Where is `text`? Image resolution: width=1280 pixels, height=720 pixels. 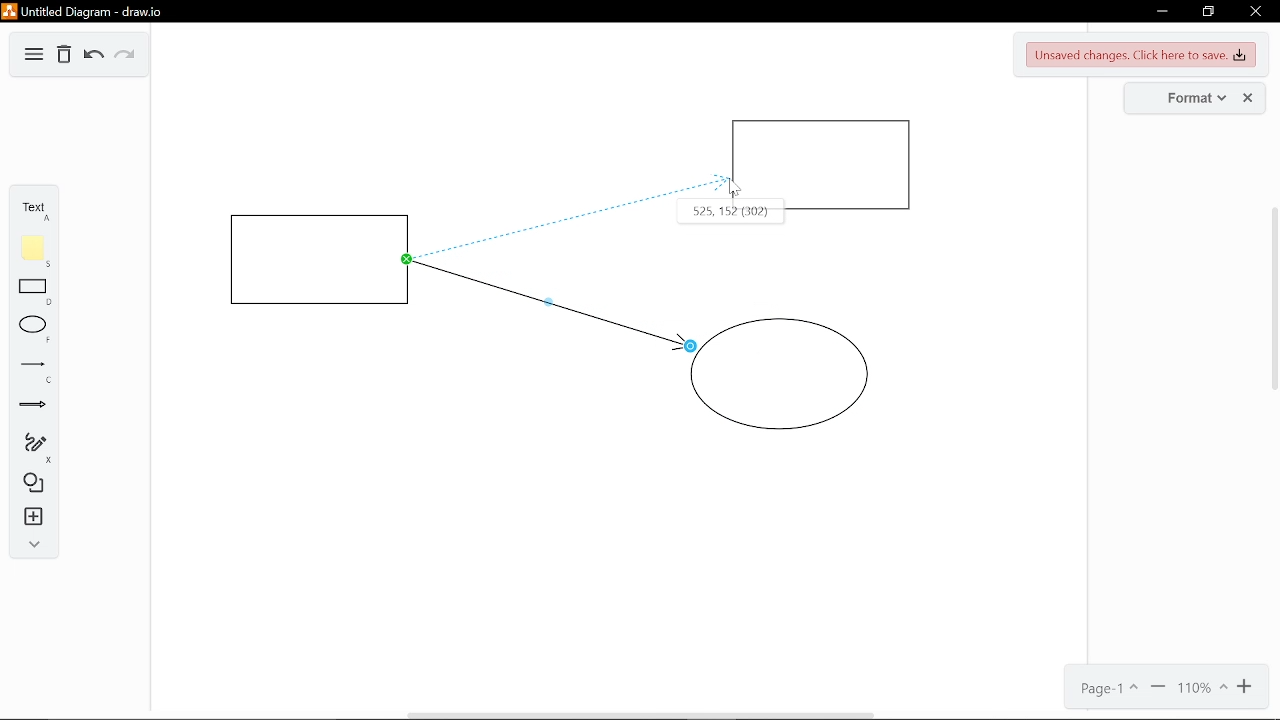 text is located at coordinates (31, 211).